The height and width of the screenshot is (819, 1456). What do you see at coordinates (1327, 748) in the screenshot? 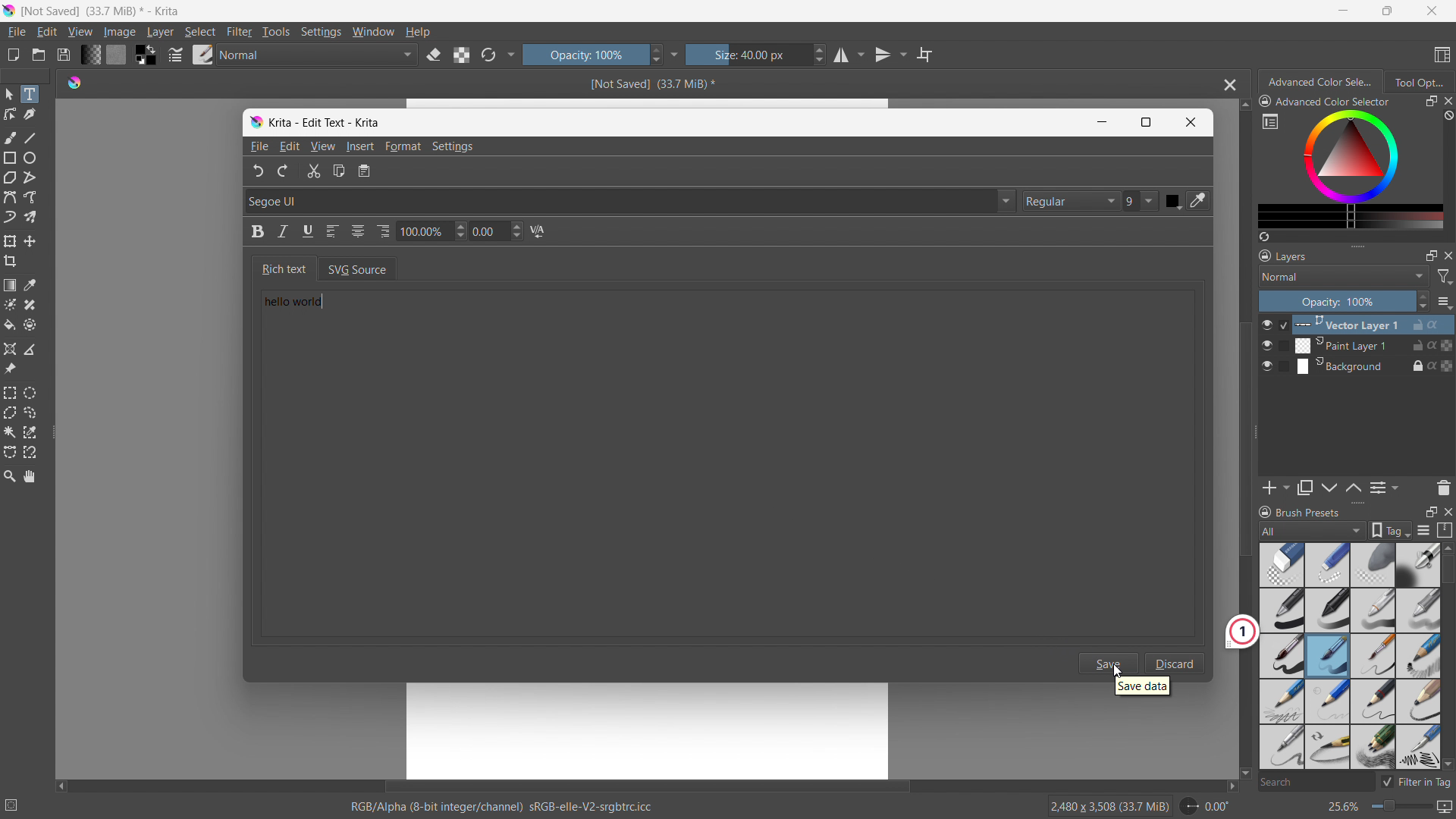
I see `small tip pencil` at bounding box center [1327, 748].